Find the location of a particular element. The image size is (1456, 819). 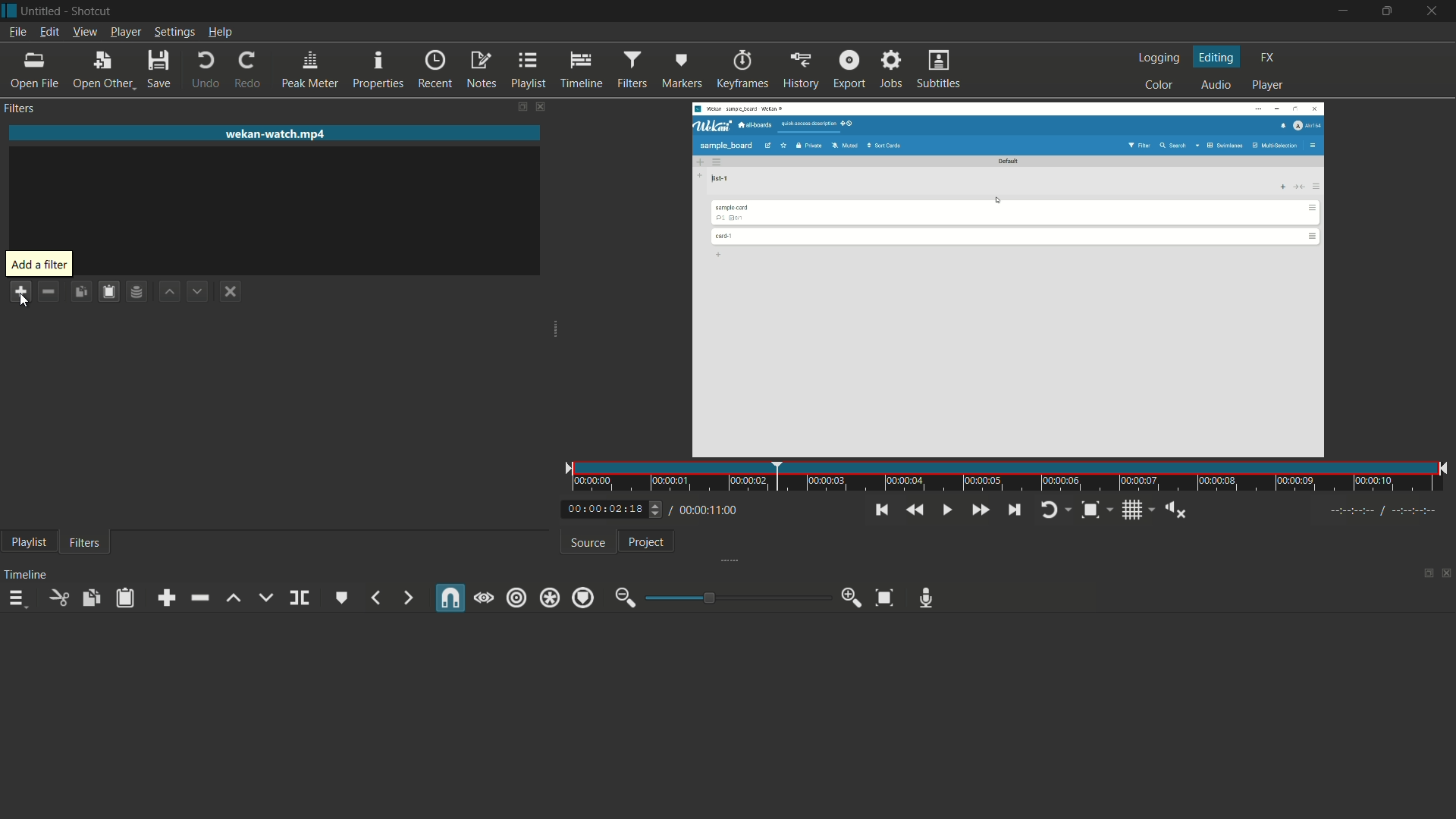

project name is located at coordinates (40, 11).